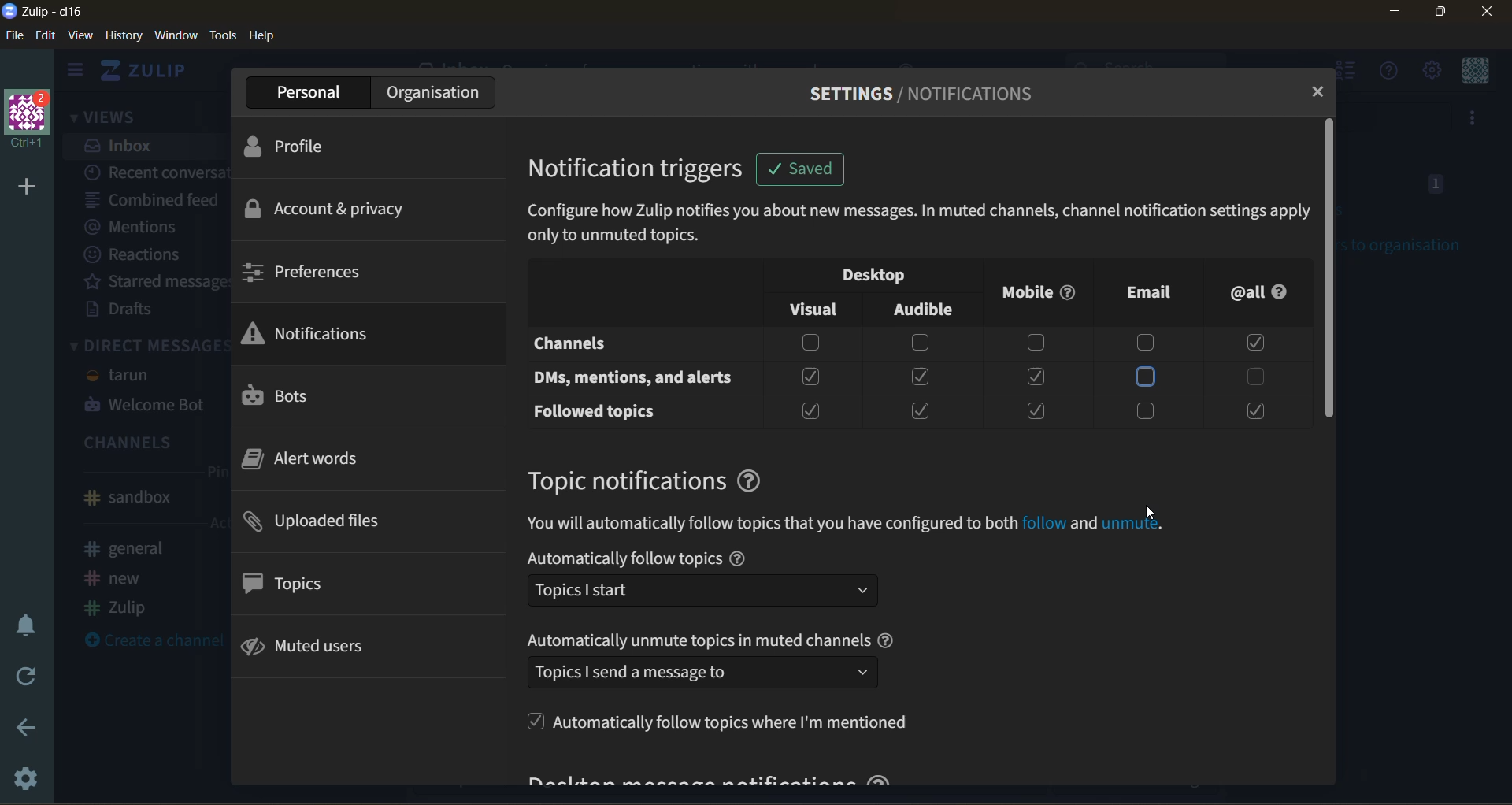 This screenshot has width=1512, height=805. Describe the element at coordinates (27, 729) in the screenshot. I see `go back` at that location.